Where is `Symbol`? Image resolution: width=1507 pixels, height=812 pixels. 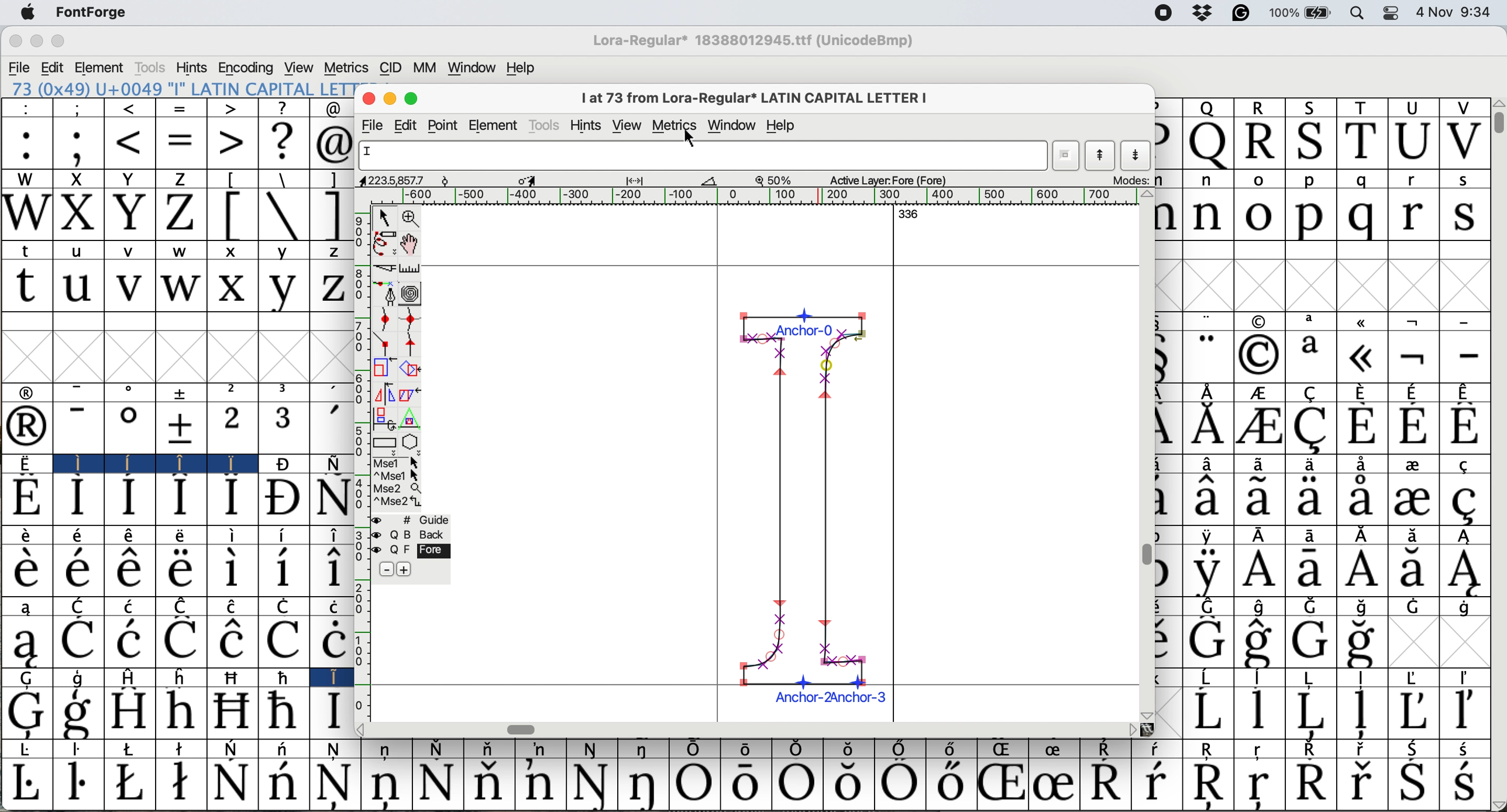 Symbol is located at coordinates (132, 605).